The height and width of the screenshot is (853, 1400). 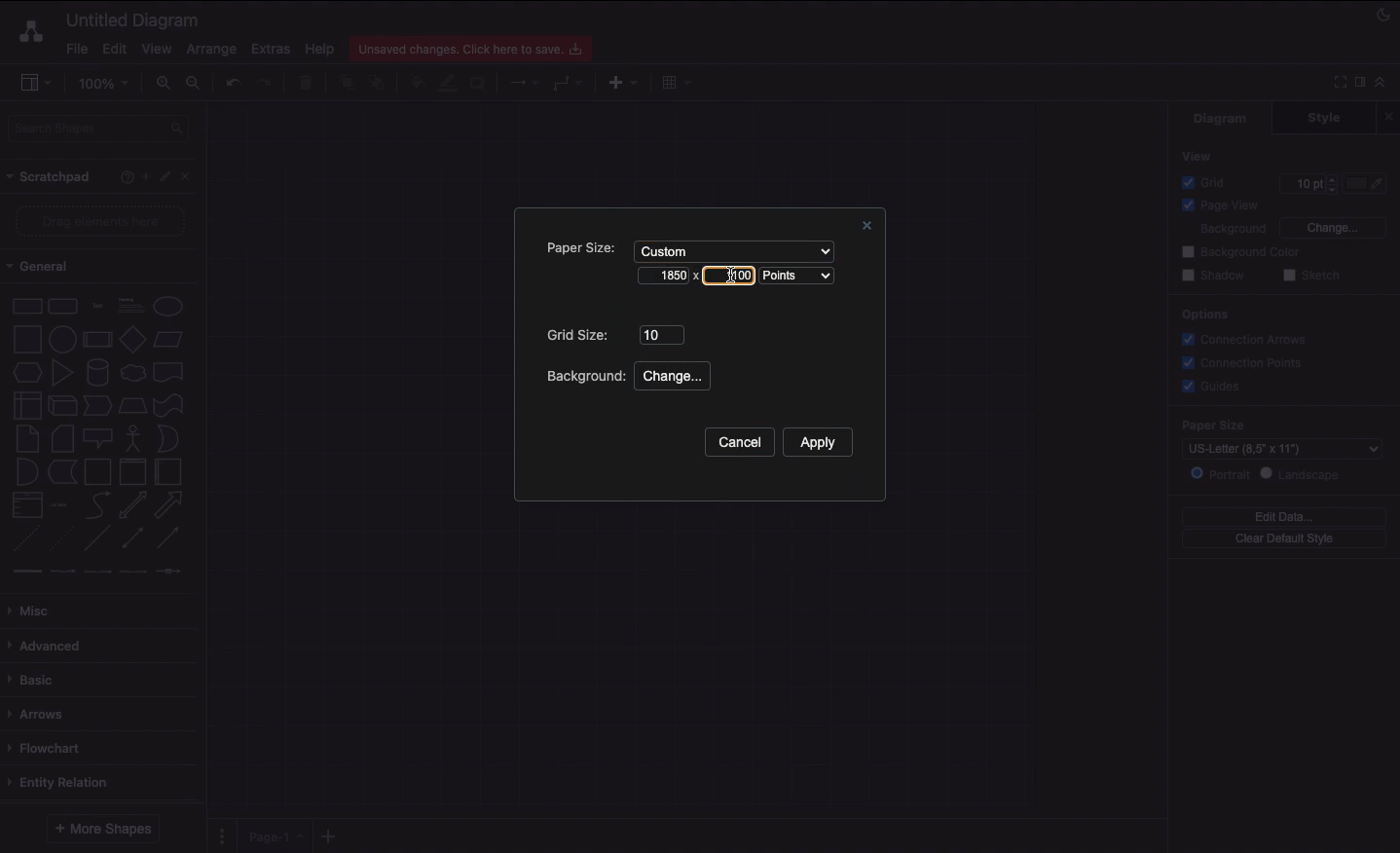 What do you see at coordinates (665, 275) in the screenshot?
I see `1850` at bounding box center [665, 275].